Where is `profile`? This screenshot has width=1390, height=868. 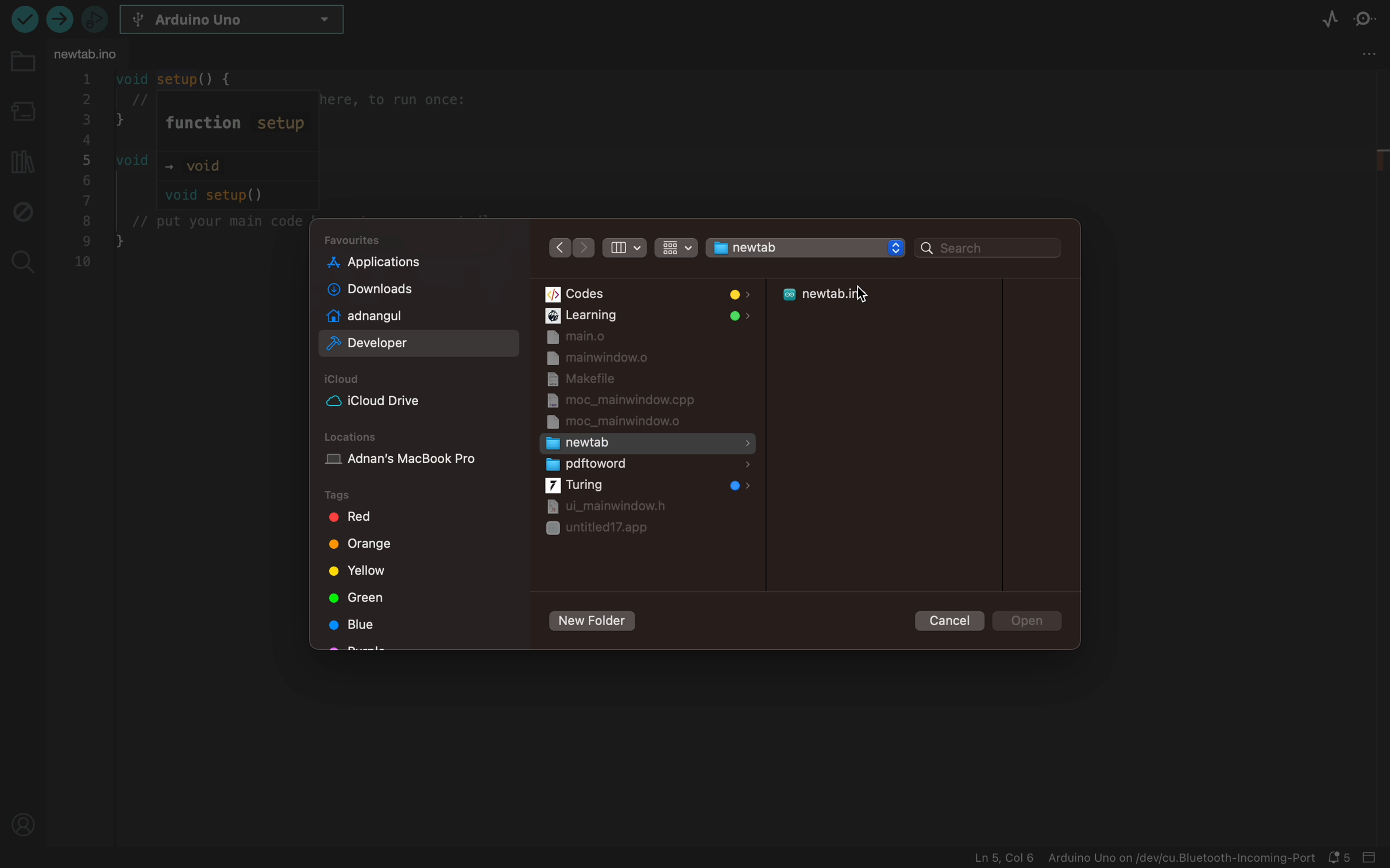
profile is located at coordinates (25, 821).